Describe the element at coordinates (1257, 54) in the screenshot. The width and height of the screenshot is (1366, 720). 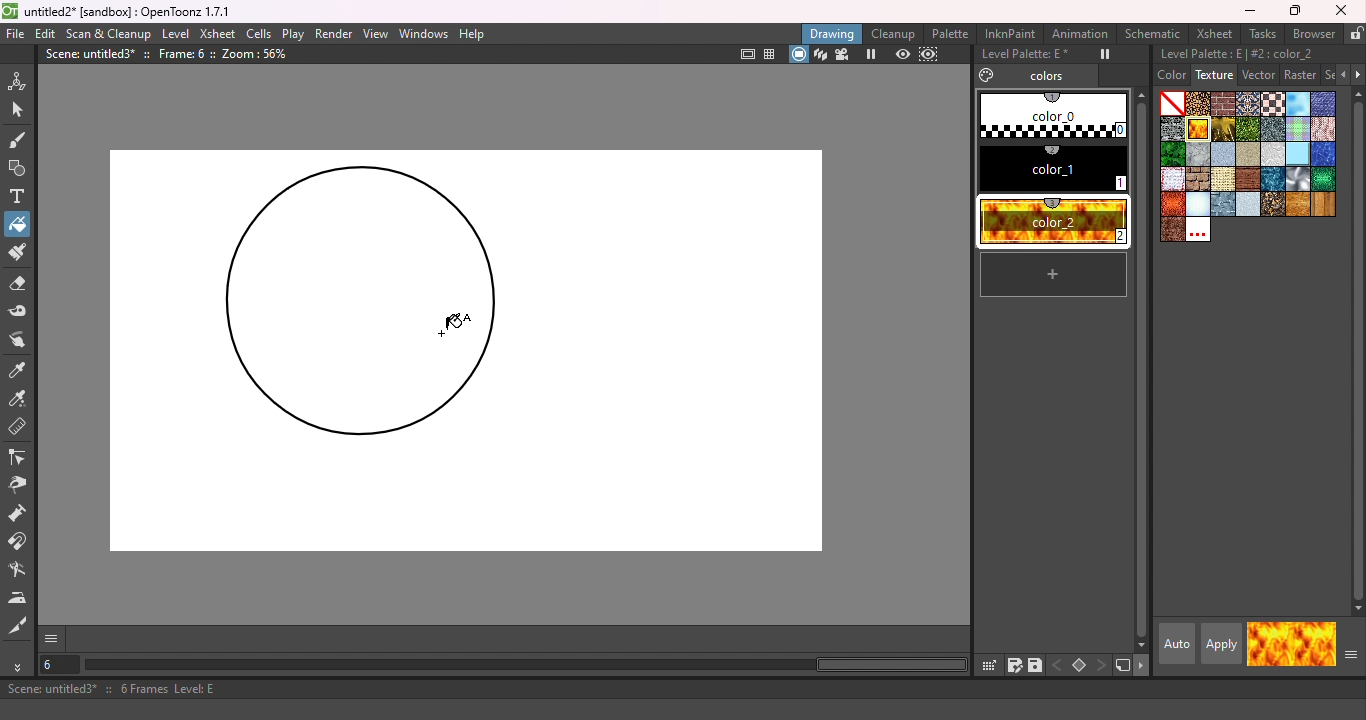
I see `Level palette: E | #2:color_2` at that location.